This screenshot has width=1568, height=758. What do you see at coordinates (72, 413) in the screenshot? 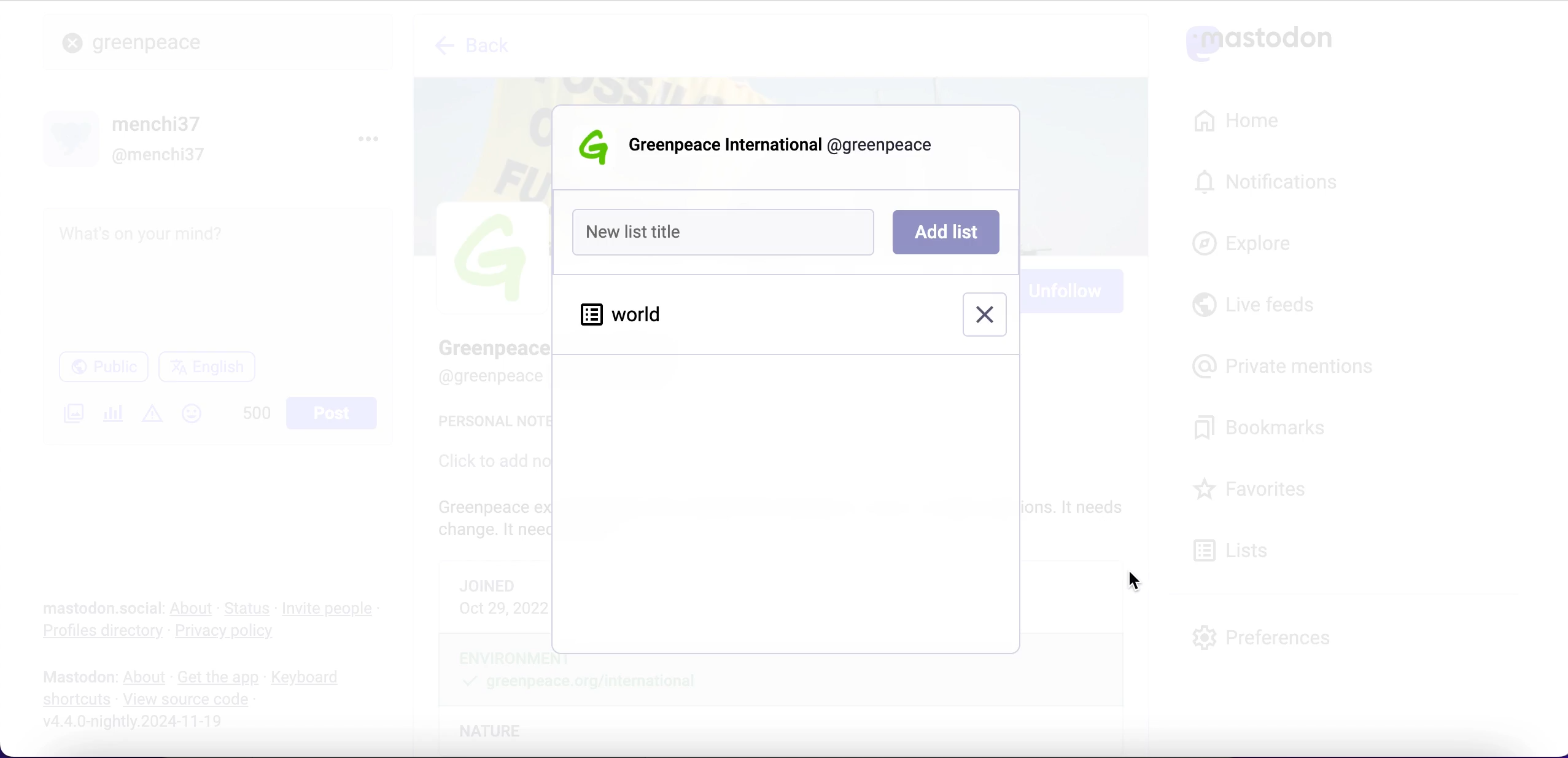
I see `add an image` at bounding box center [72, 413].